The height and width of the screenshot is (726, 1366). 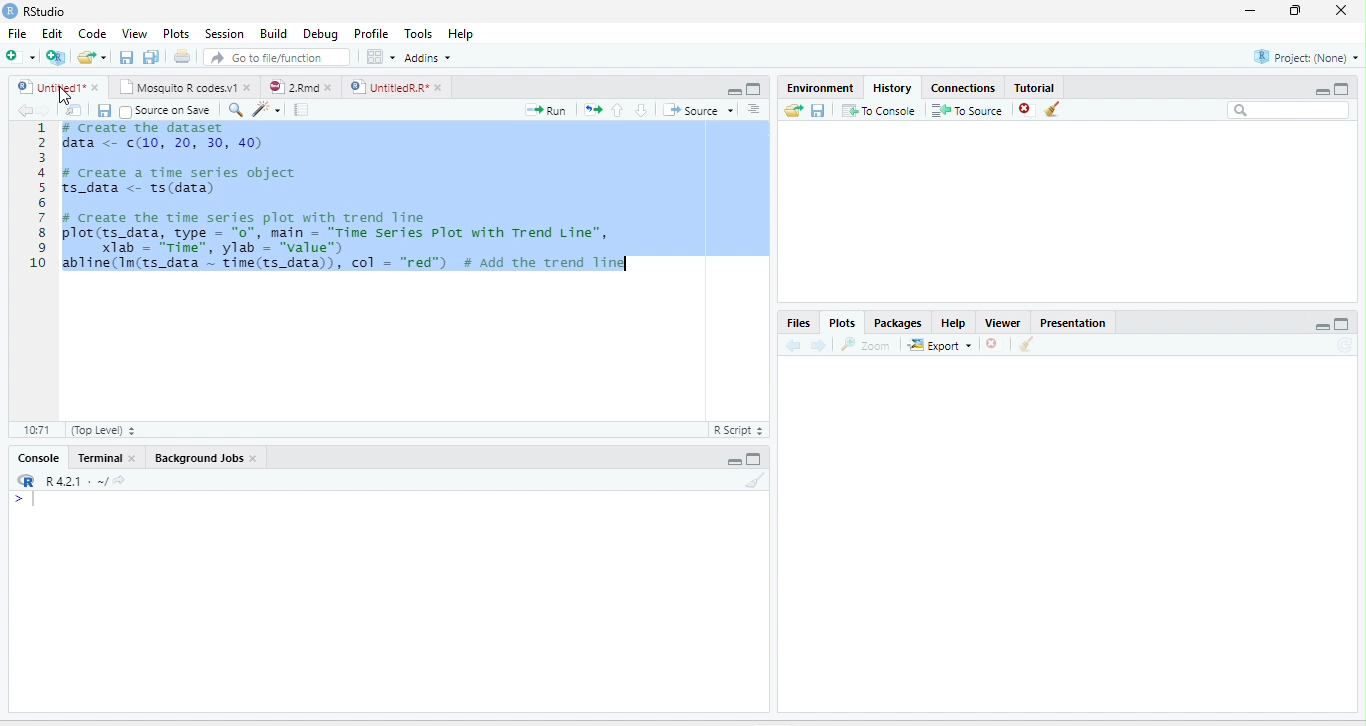 What do you see at coordinates (165, 110) in the screenshot?
I see `Source on Save` at bounding box center [165, 110].